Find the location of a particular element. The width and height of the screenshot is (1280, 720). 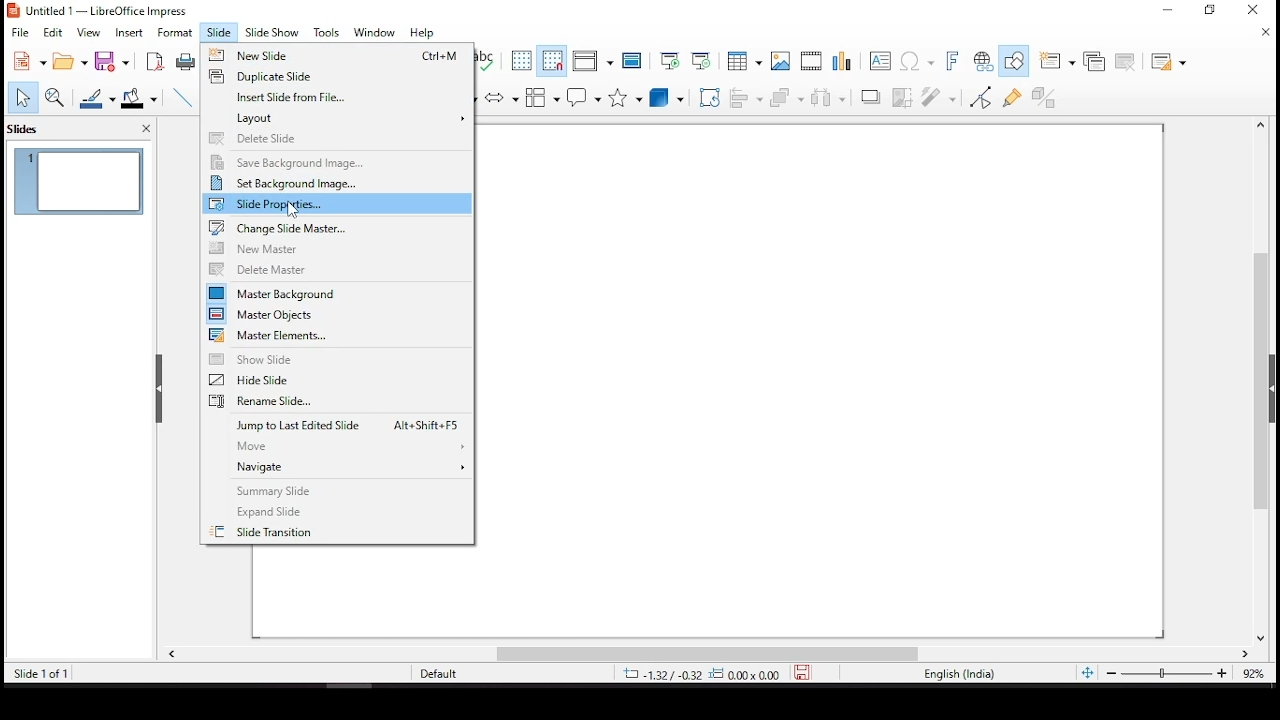

slide 1 of 1 is located at coordinates (45, 673).